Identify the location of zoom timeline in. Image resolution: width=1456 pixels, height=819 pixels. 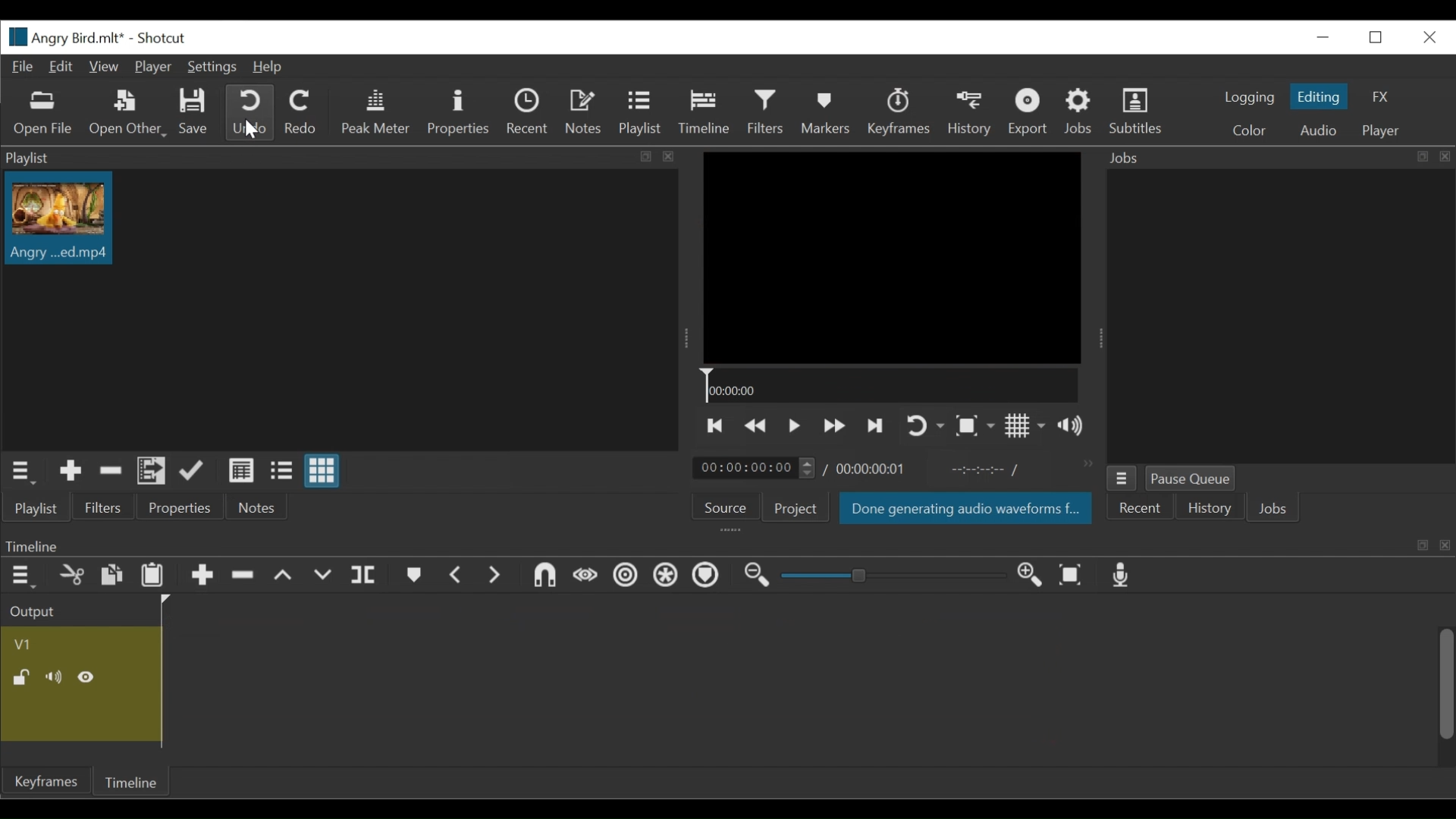
(1030, 575).